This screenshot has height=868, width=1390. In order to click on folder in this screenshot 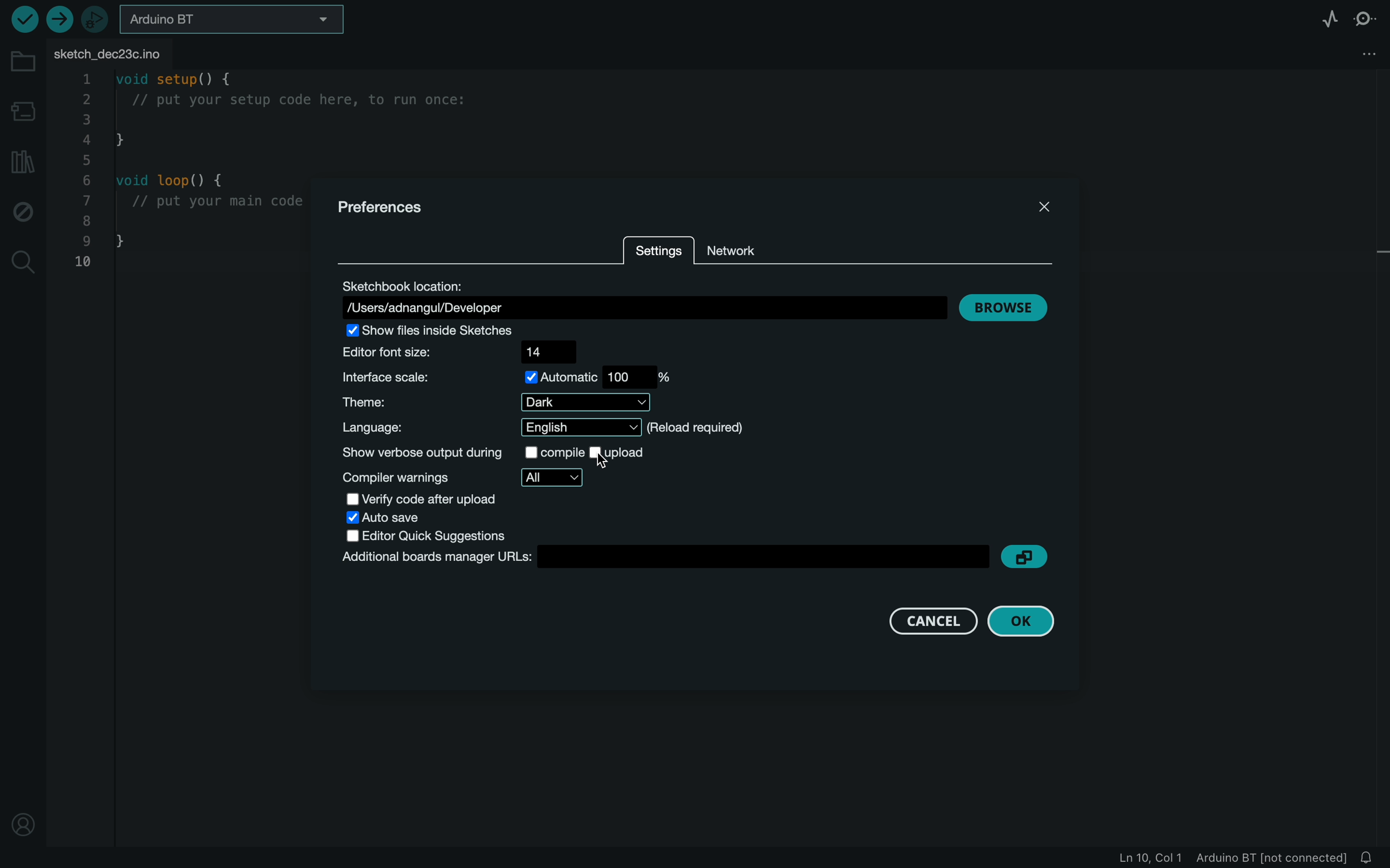, I will do `click(20, 65)`.